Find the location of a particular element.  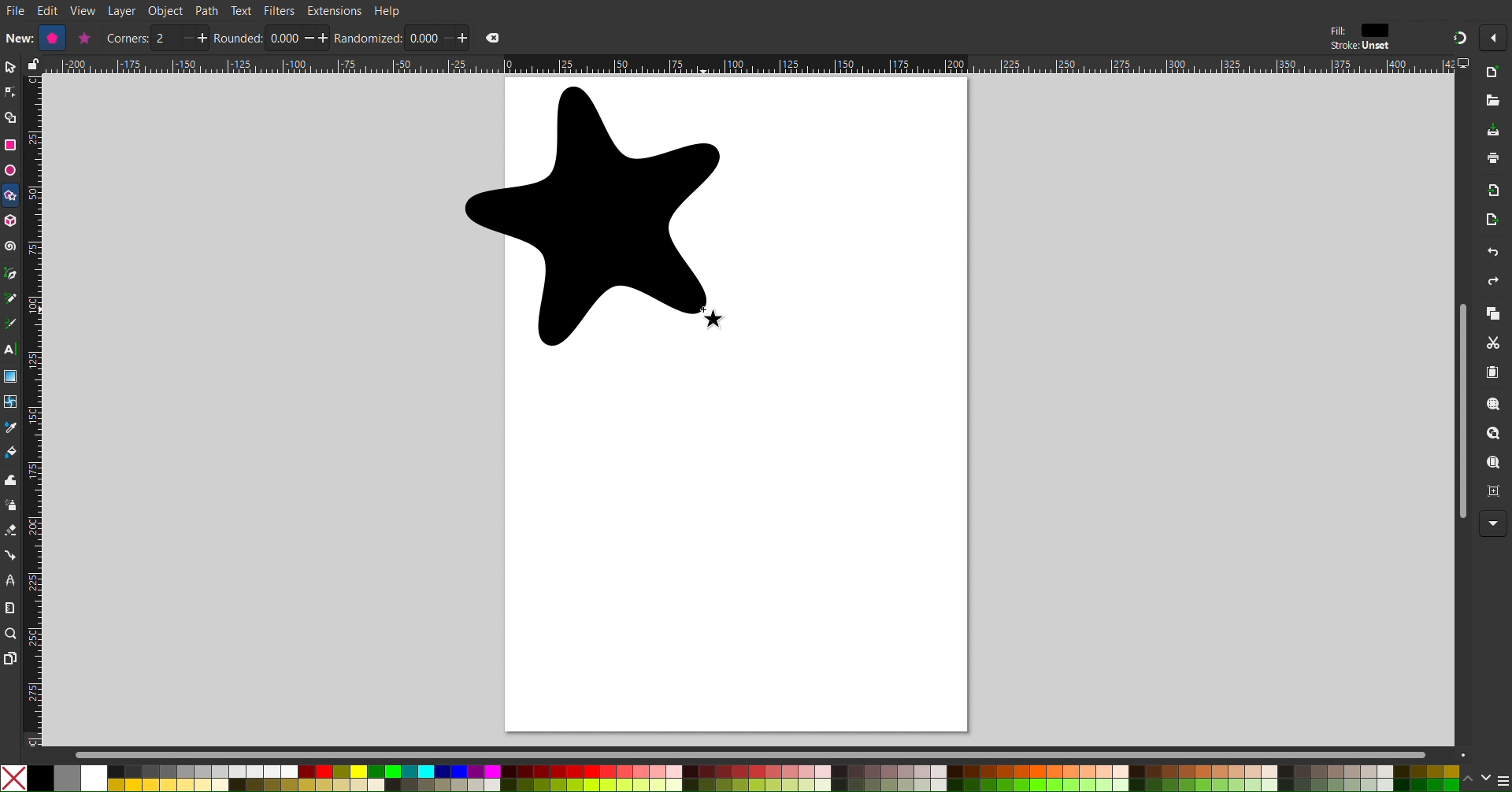

View is located at coordinates (83, 11).